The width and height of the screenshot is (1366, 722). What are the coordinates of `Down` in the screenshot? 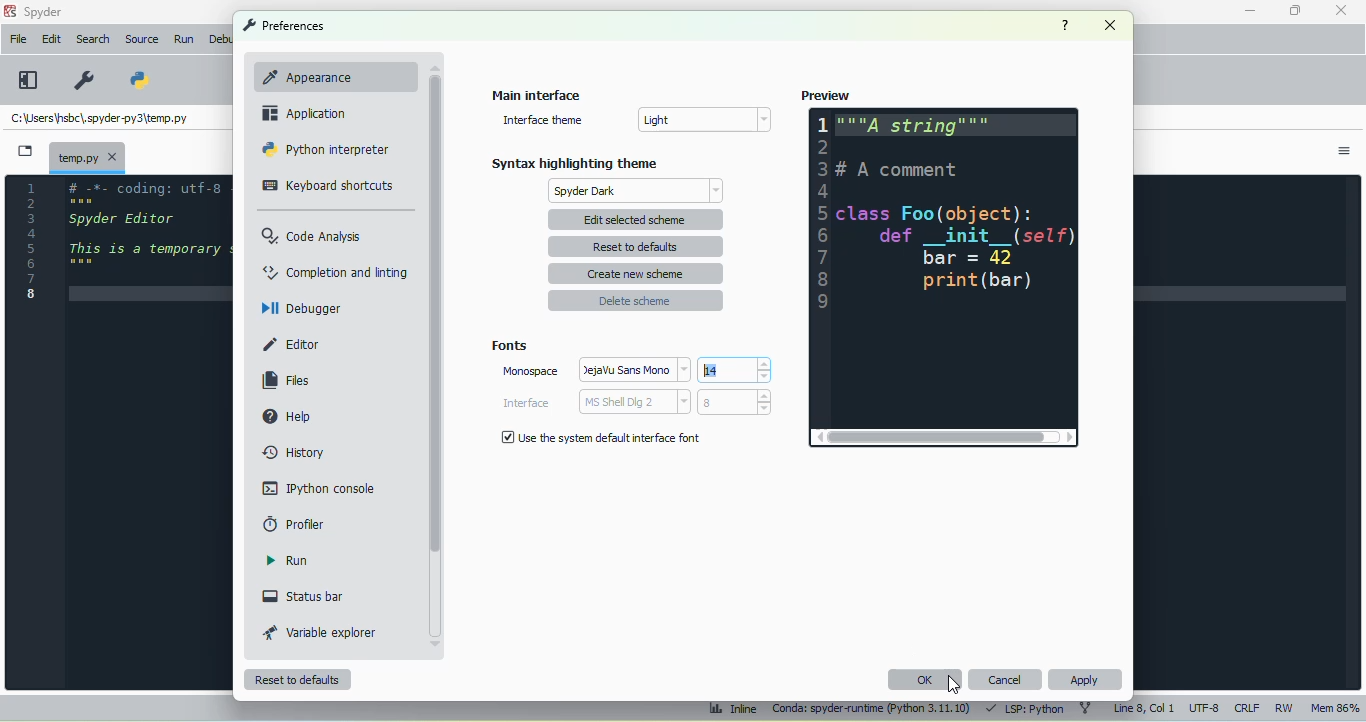 It's located at (437, 642).